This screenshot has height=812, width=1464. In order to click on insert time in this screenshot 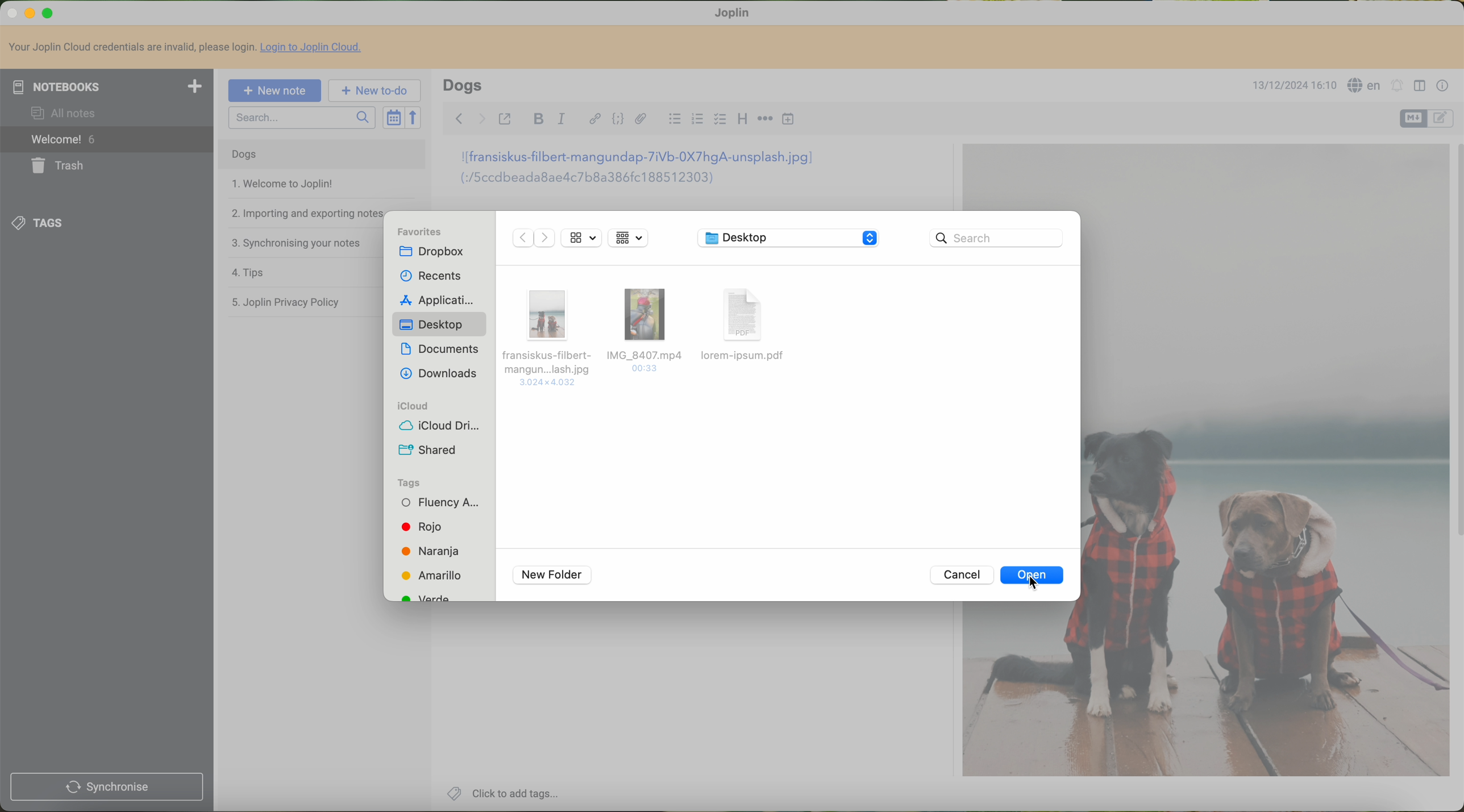, I will do `click(790, 120)`.